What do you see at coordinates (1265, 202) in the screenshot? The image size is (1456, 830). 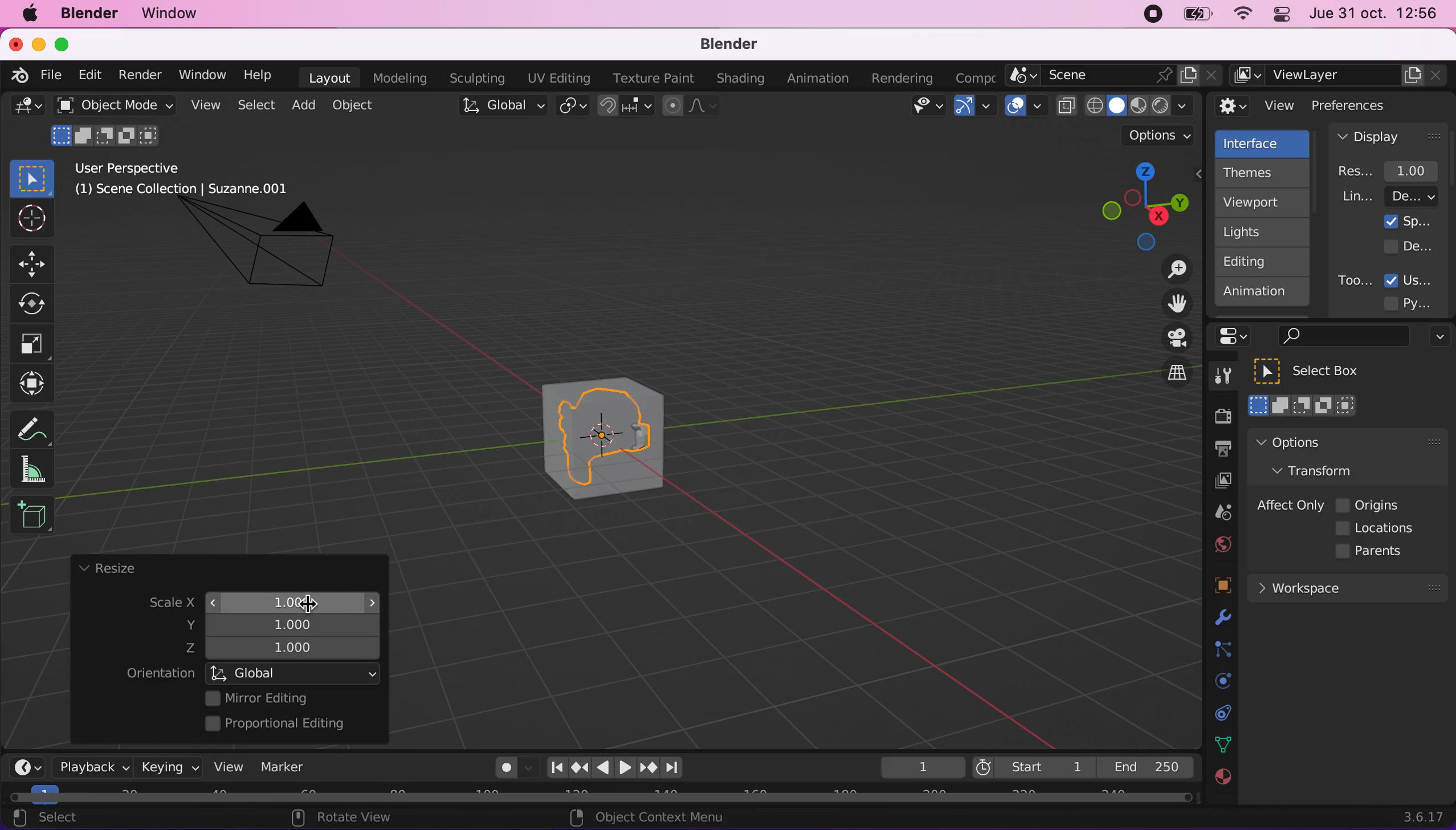 I see `viewport` at bounding box center [1265, 202].